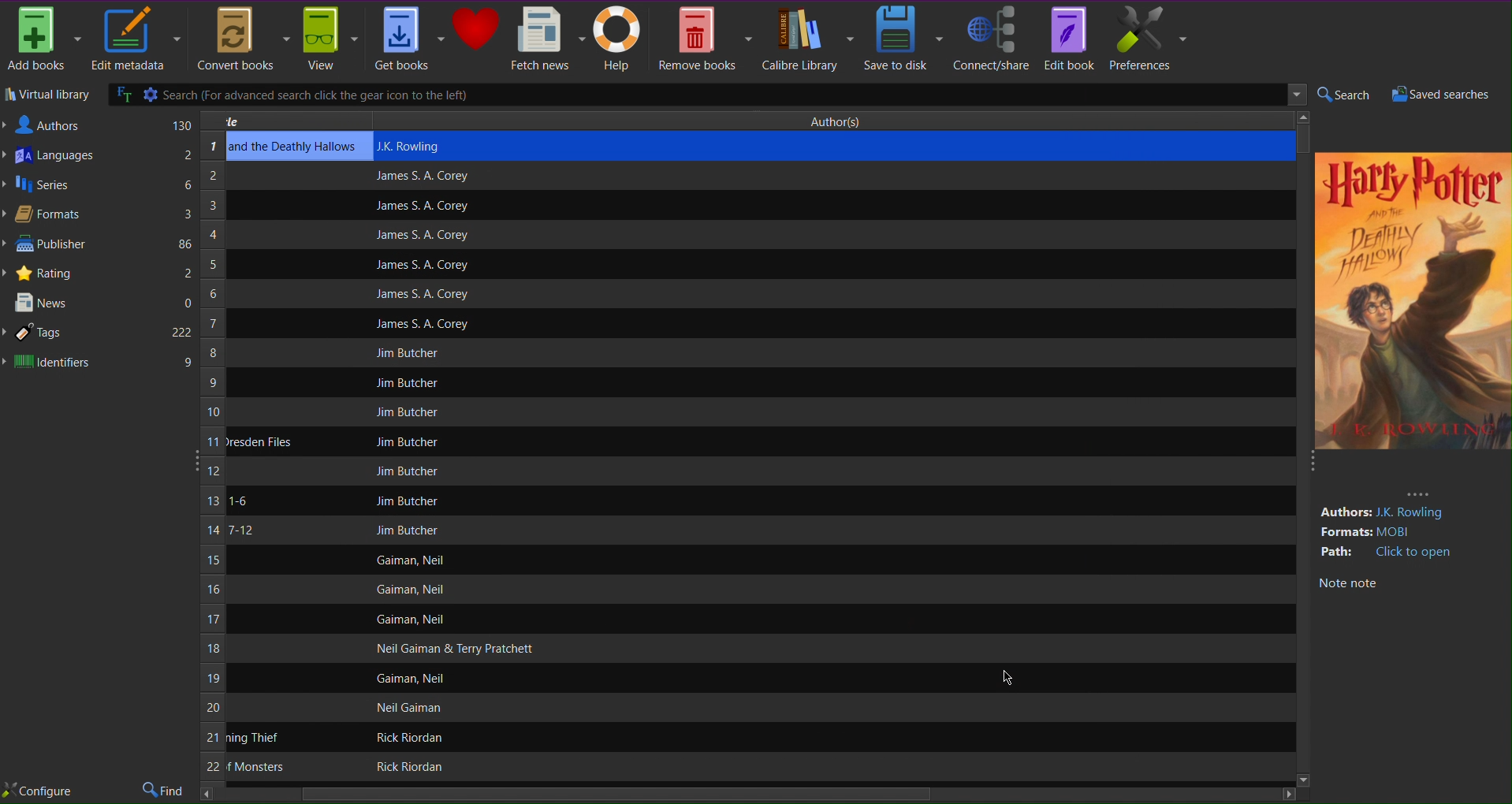  Describe the element at coordinates (1347, 584) in the screenshot. I see `Note note` at that location.